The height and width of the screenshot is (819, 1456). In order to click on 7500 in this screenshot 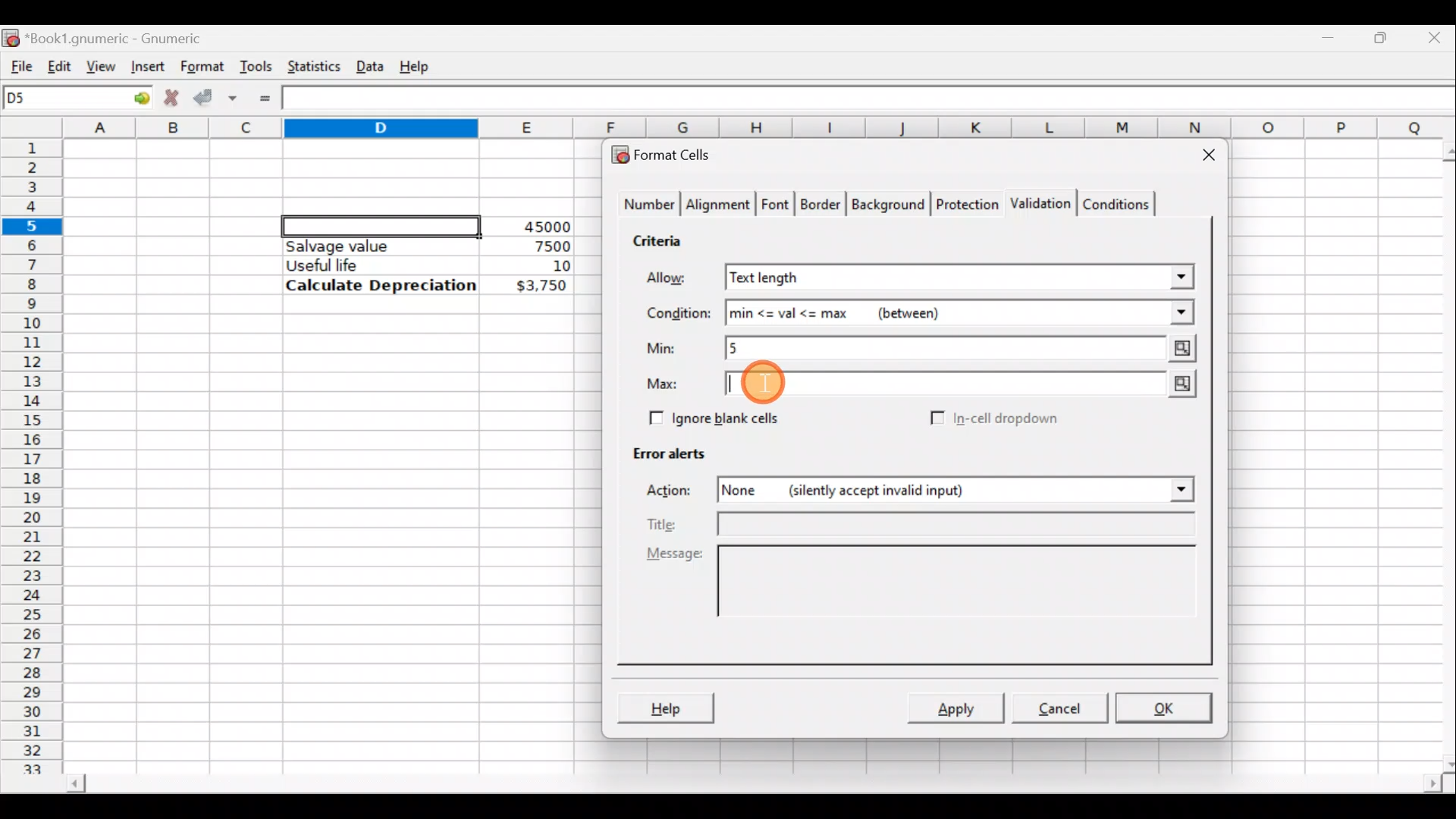, I will do `click(528, 245)`.